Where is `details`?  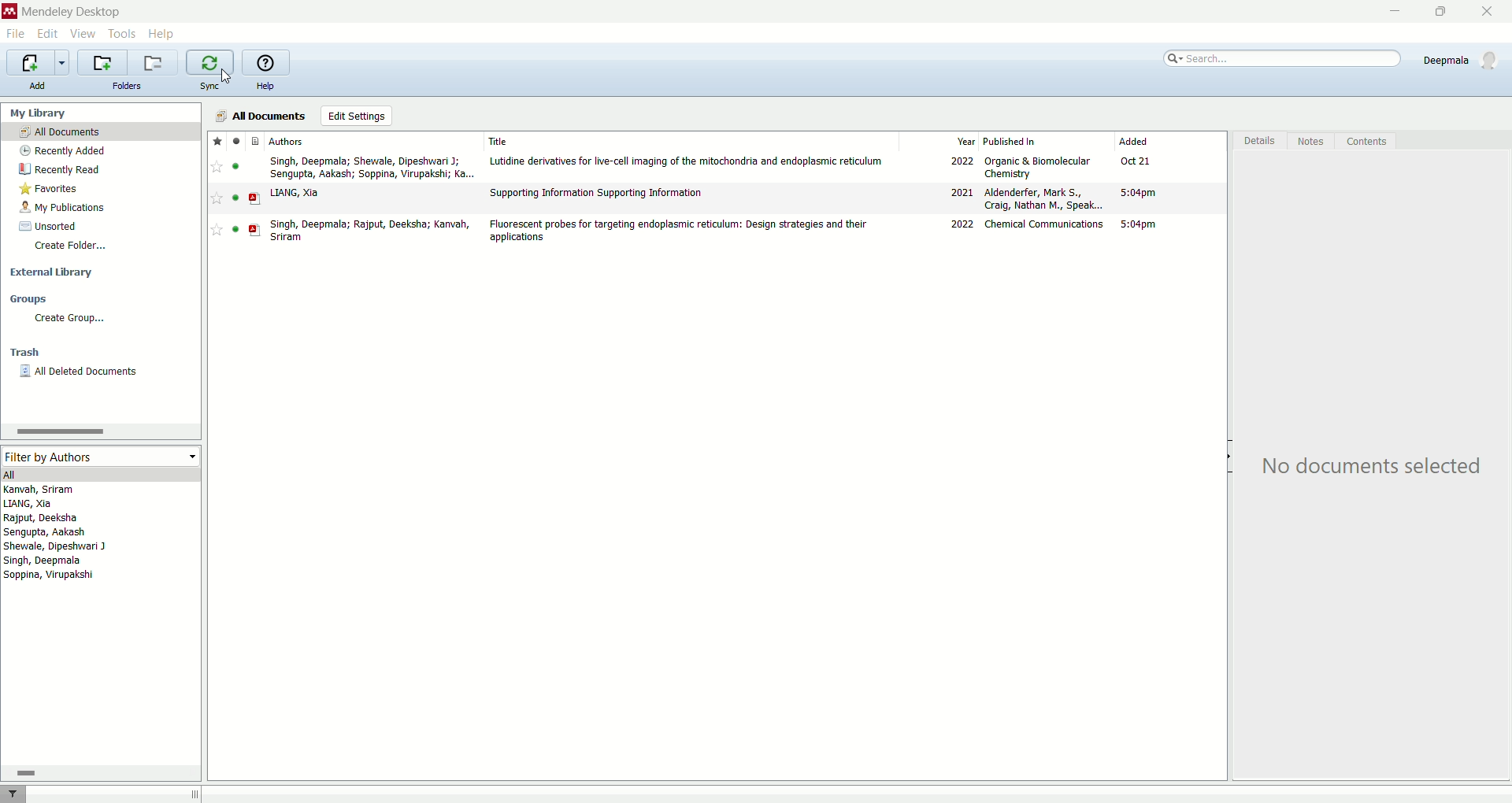
details is located at coordinates (1259, 140).